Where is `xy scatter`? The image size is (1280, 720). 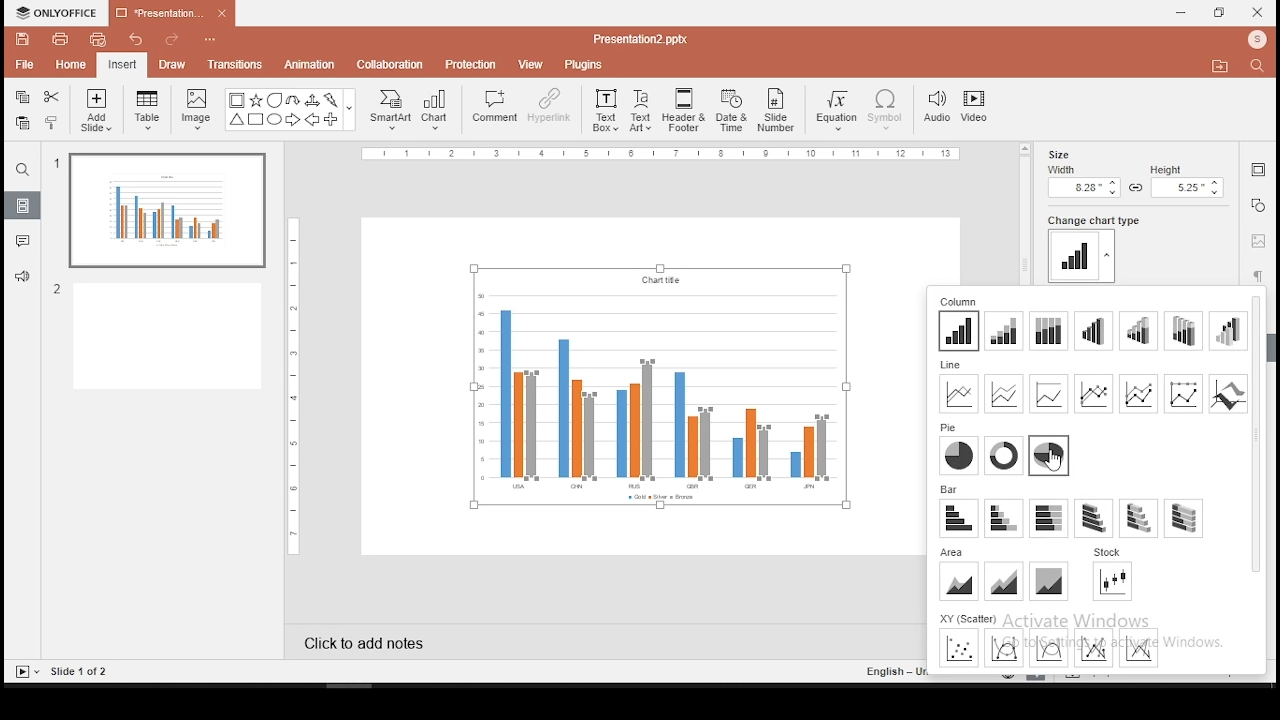 xy scatter is located at coordinates (968, 617).